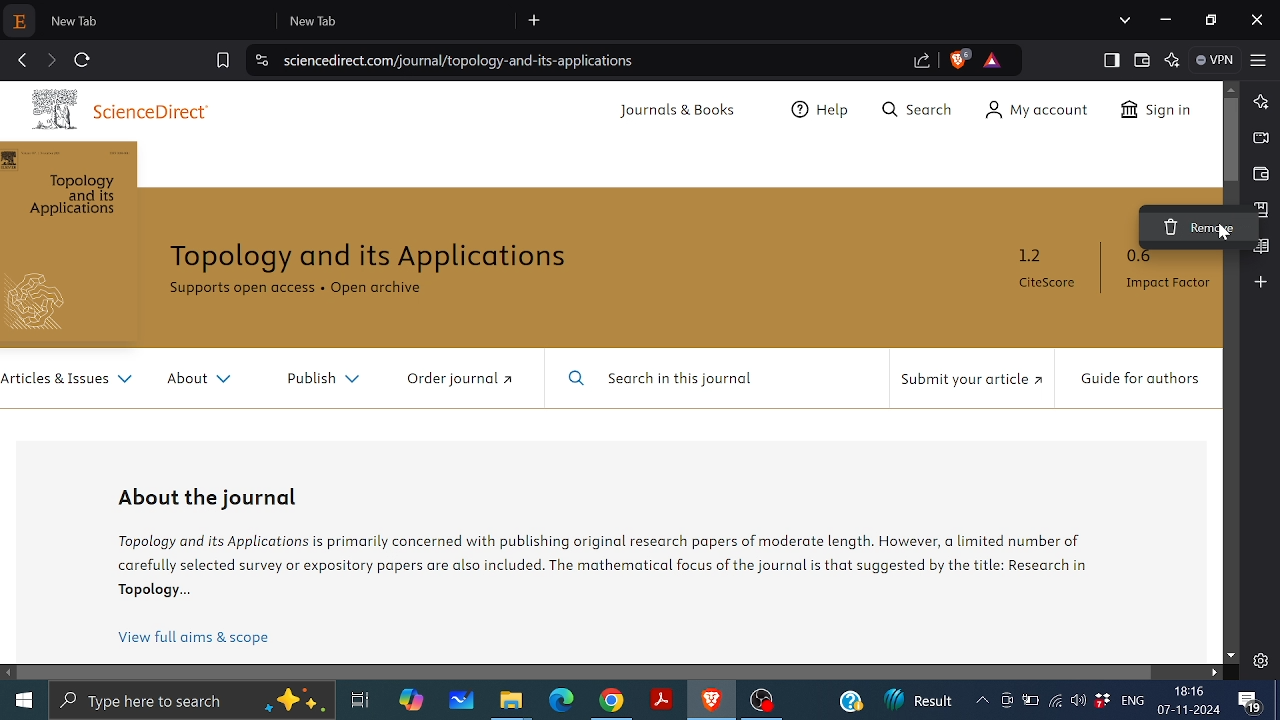 The height and width of the screenshot is (720, 1280). Describe the element at coordinates (259, 60) in the screenshot. I see `View site information` at that location.